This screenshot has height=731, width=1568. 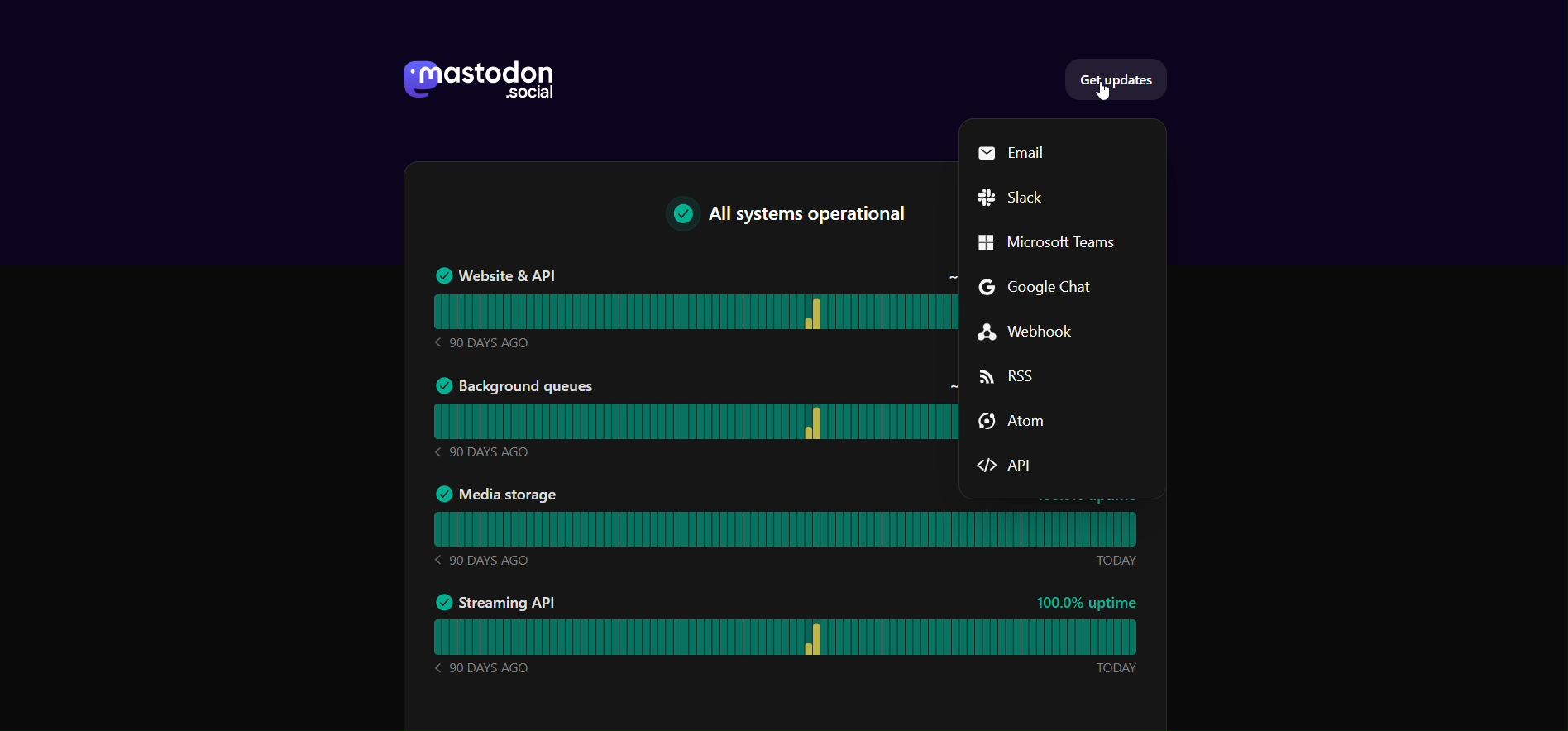 I want to click on Website & API status, so click(x=691, y=305).